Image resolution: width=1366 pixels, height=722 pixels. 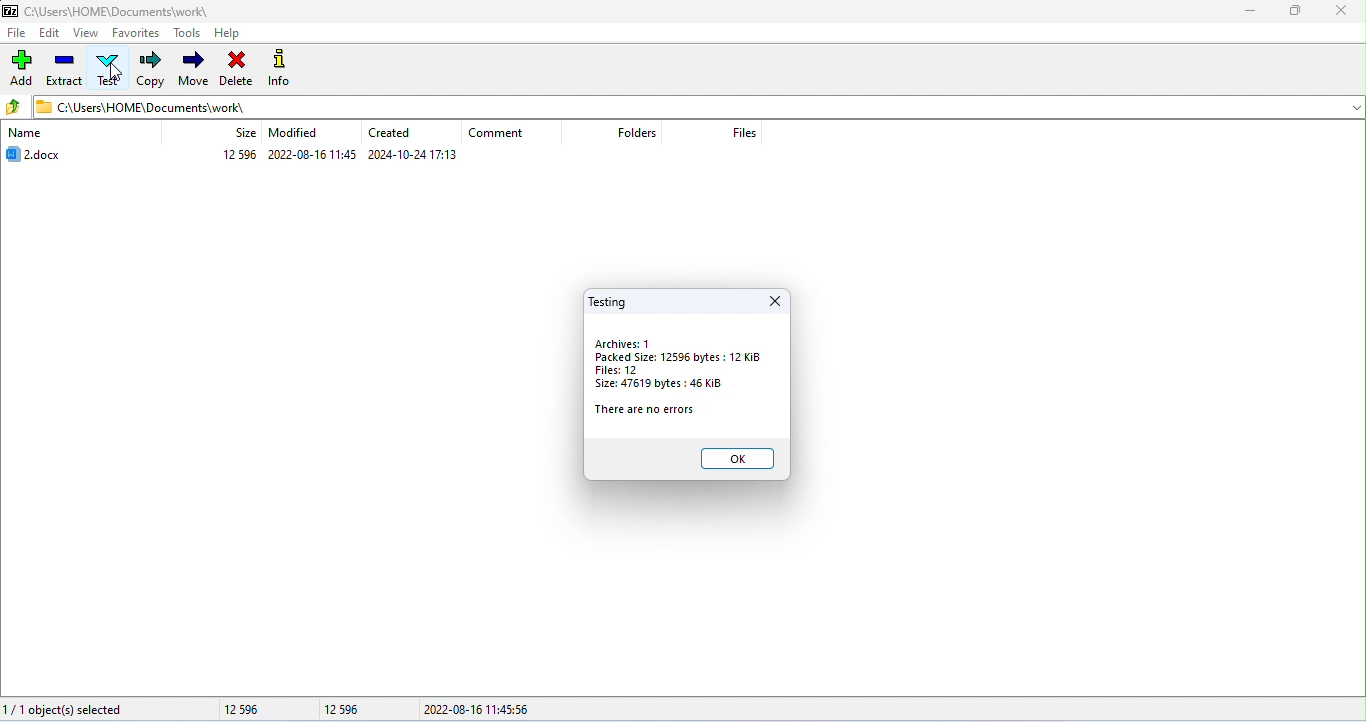 I want to click on 12596, so click(x=342, y=710).